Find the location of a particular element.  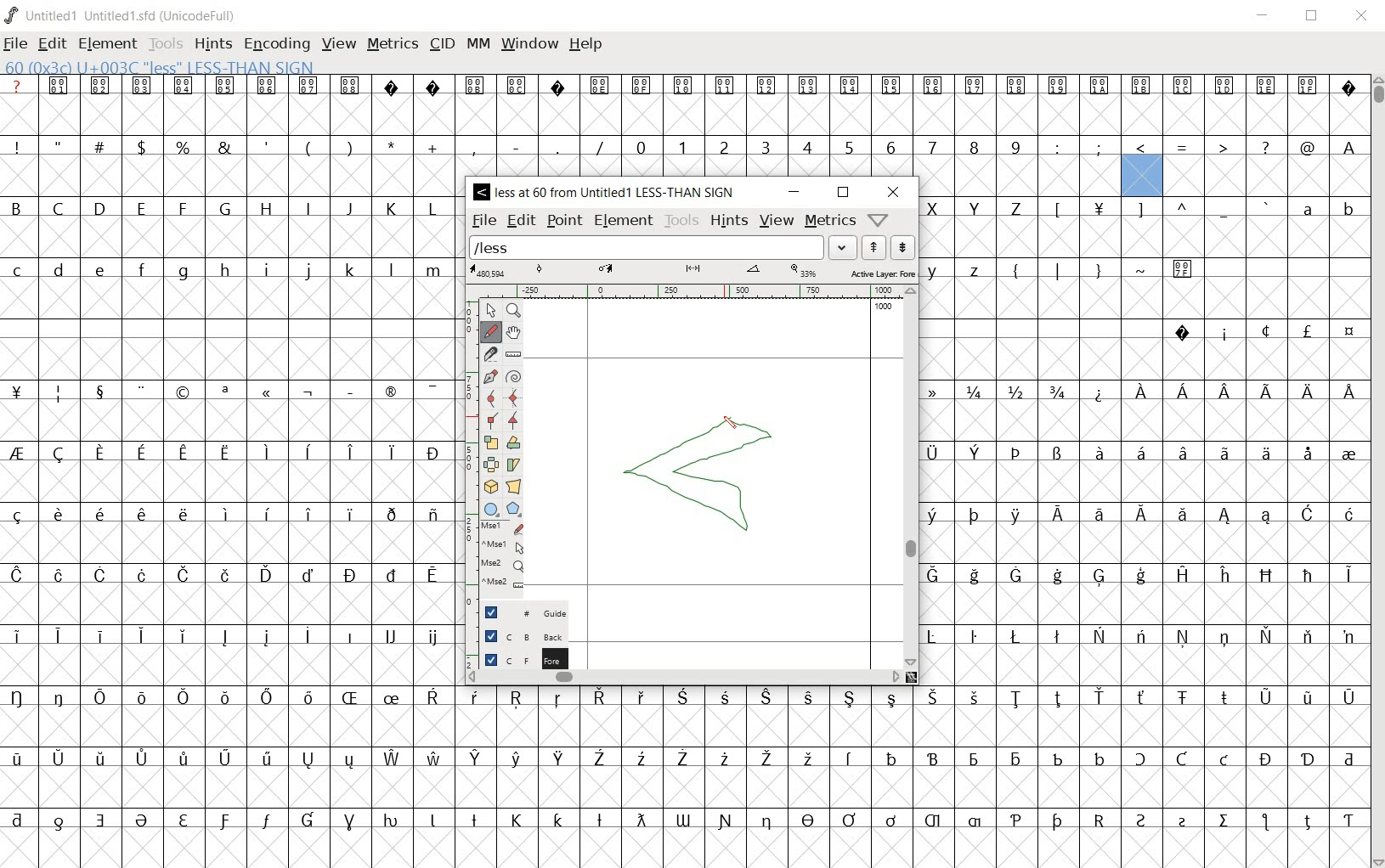

Rotate the selection is located at coordinates (514, 442).